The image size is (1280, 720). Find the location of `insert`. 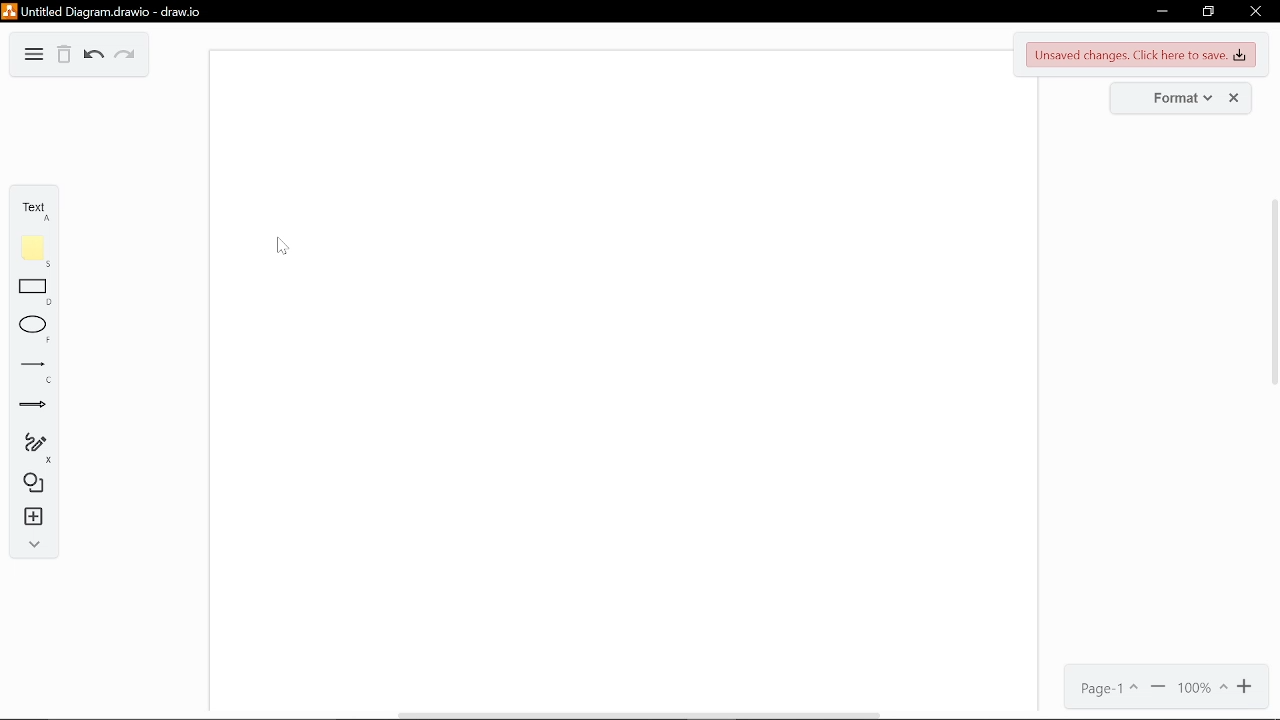

insert is located at coordinates (35, 521).